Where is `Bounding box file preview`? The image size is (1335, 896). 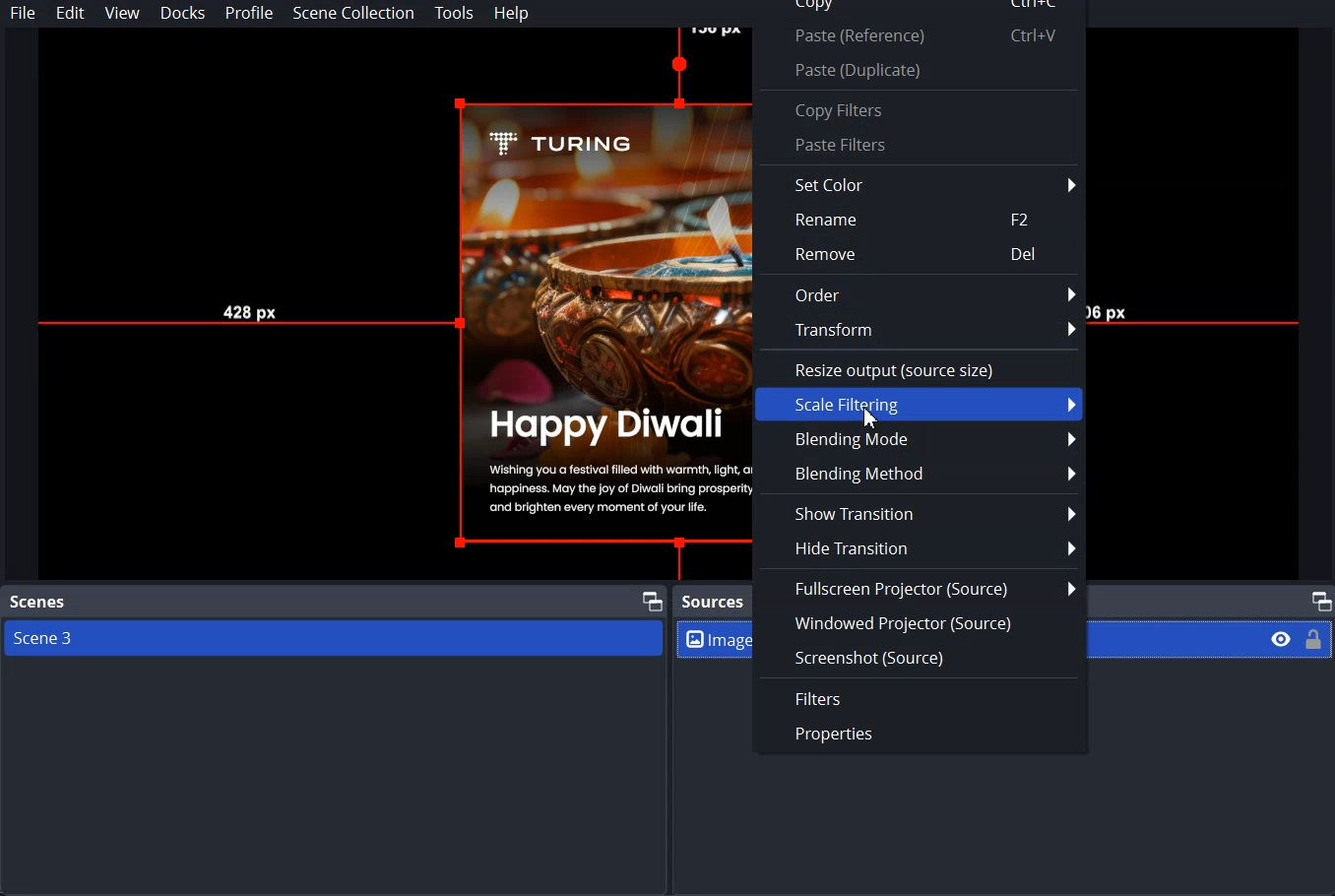
Bounding box file preview is located at coordinates (383, 304).